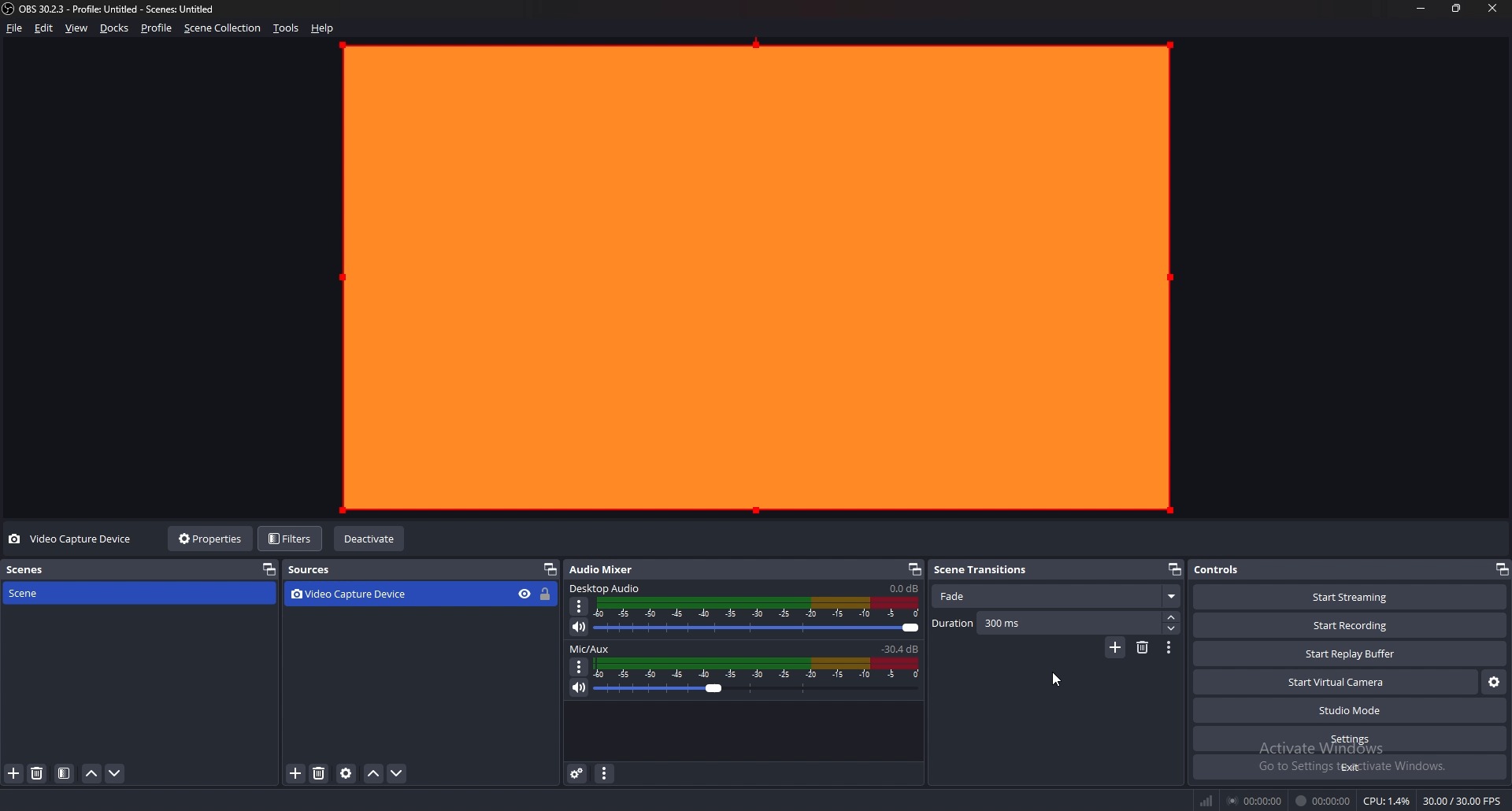  Describe the element at coordinates (1351, 626) in the screenshot. I see `start recording` at that location.